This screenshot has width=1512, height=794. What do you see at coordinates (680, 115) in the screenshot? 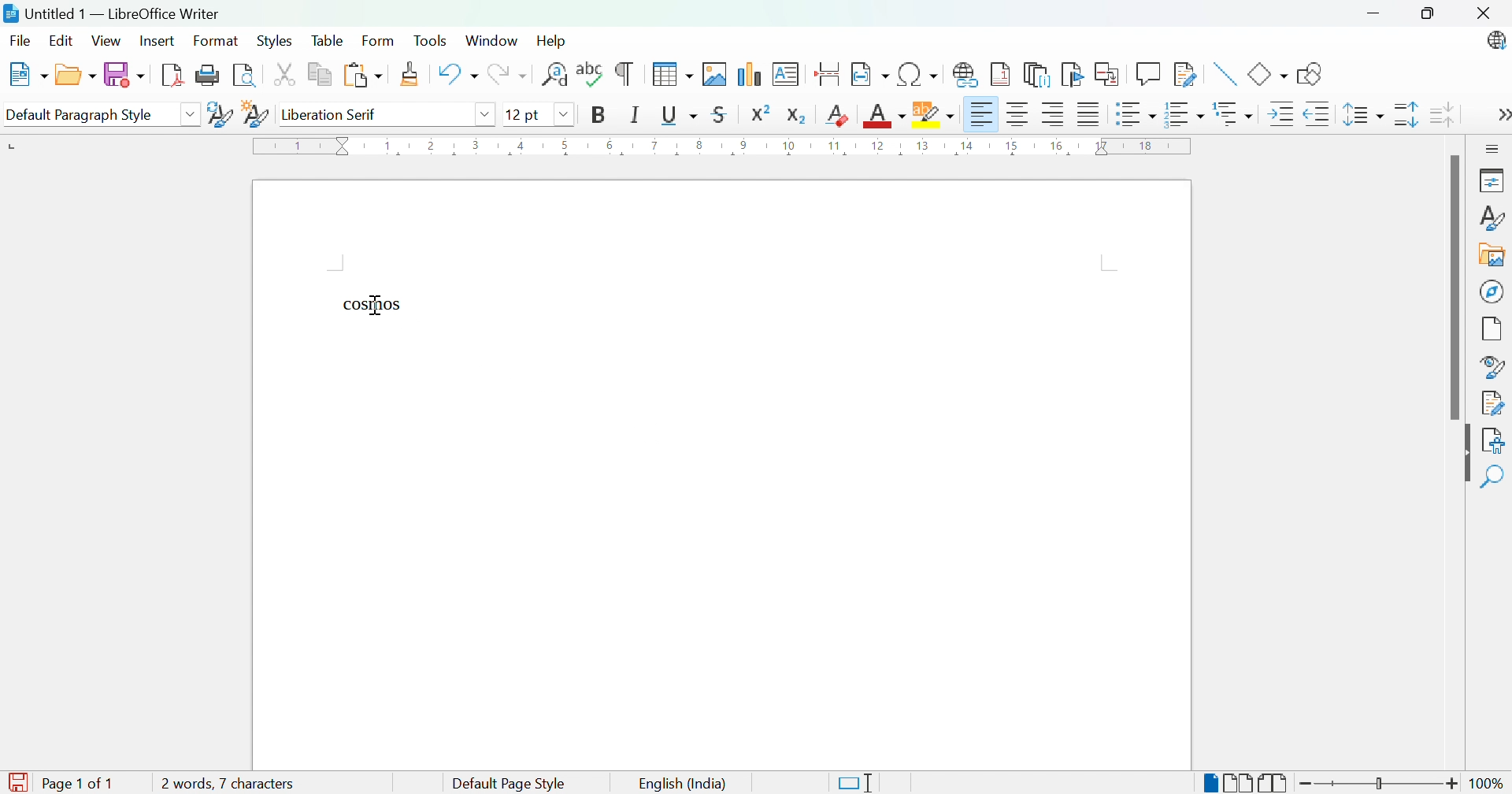
I see `Underline` at bounding box center [680, 115].